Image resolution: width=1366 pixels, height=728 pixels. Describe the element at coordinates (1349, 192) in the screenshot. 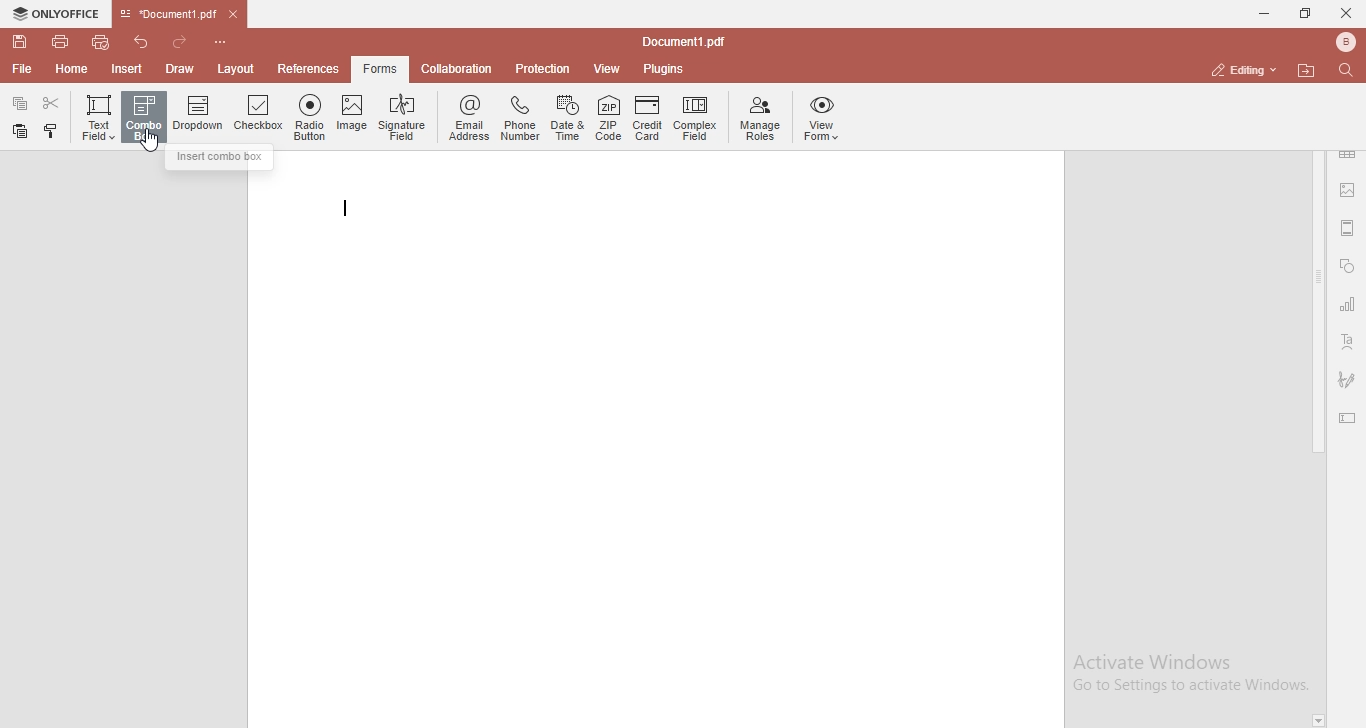

I see `image` at that location.